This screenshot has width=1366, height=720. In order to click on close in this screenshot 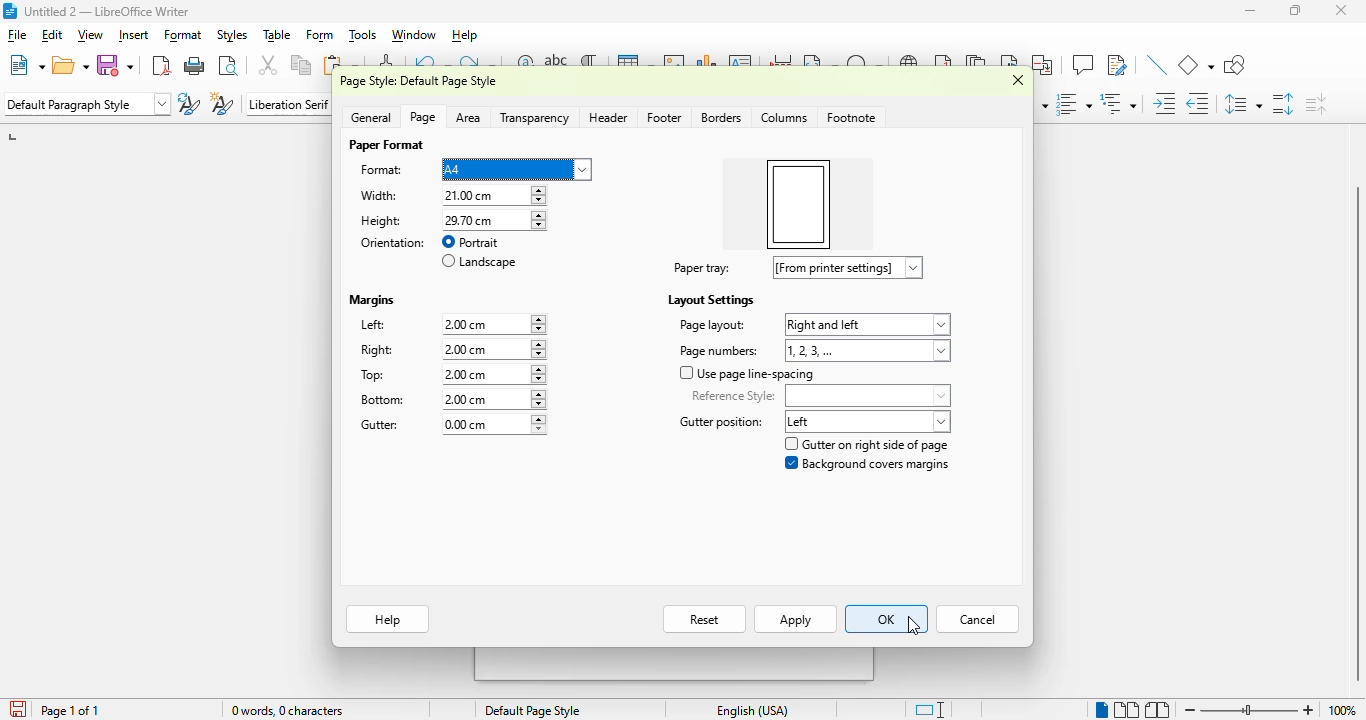, I will do `click(1340, 10)`.